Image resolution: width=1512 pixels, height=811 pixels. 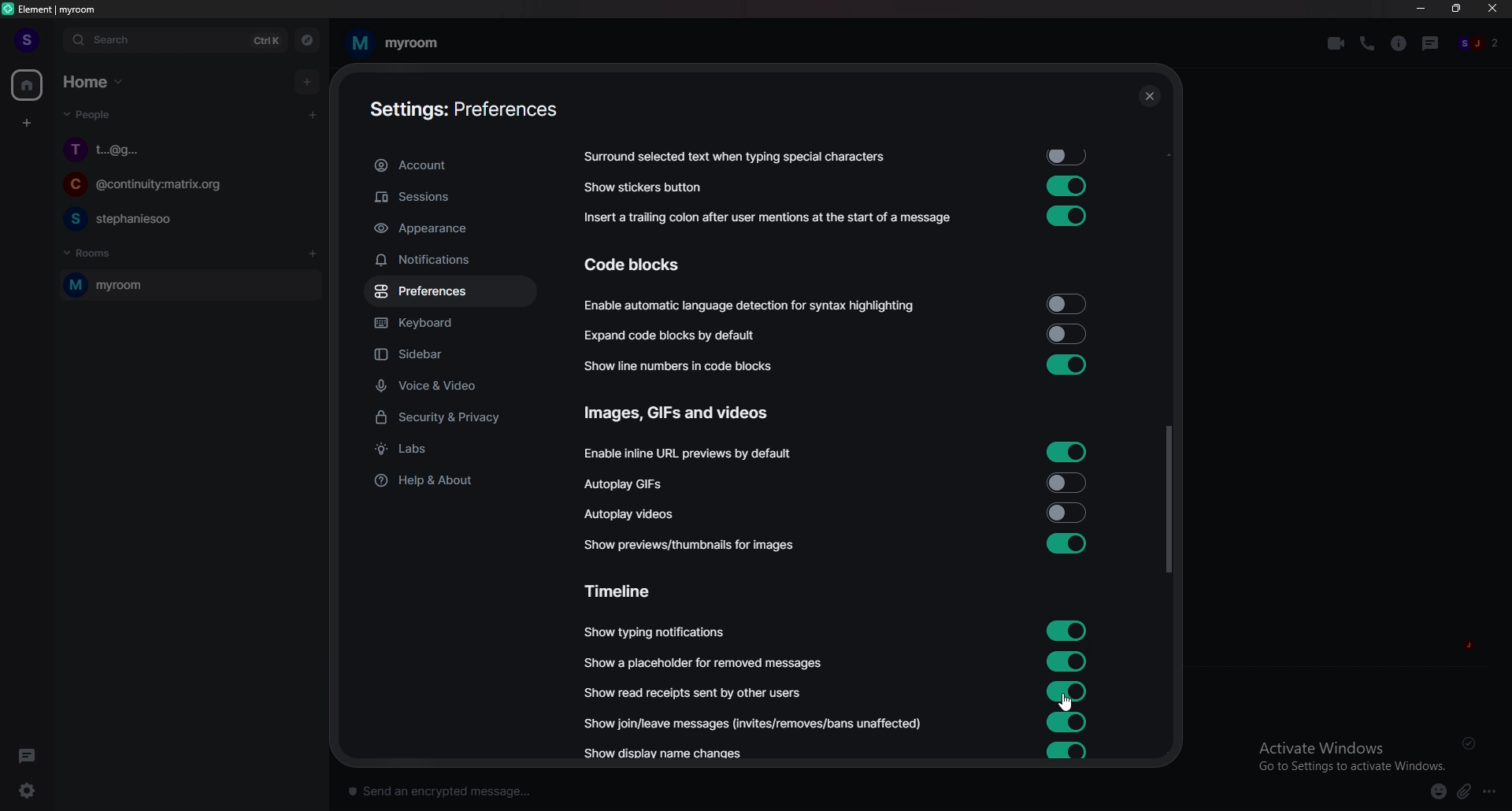 What do you see at coordinates (457, 111) in the screenshot?
I see `settings account` at bounding box center [457, 111].